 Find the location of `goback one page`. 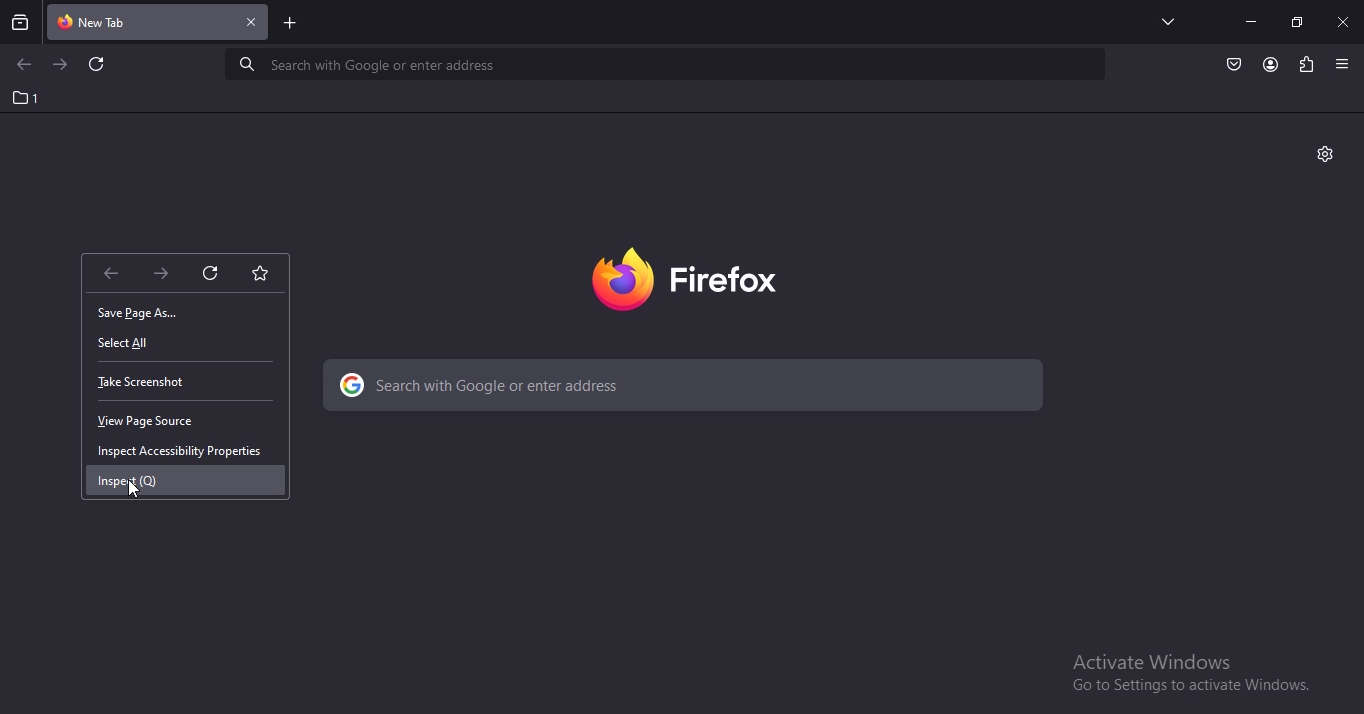

goback one page is located at coordinates (113, 271).